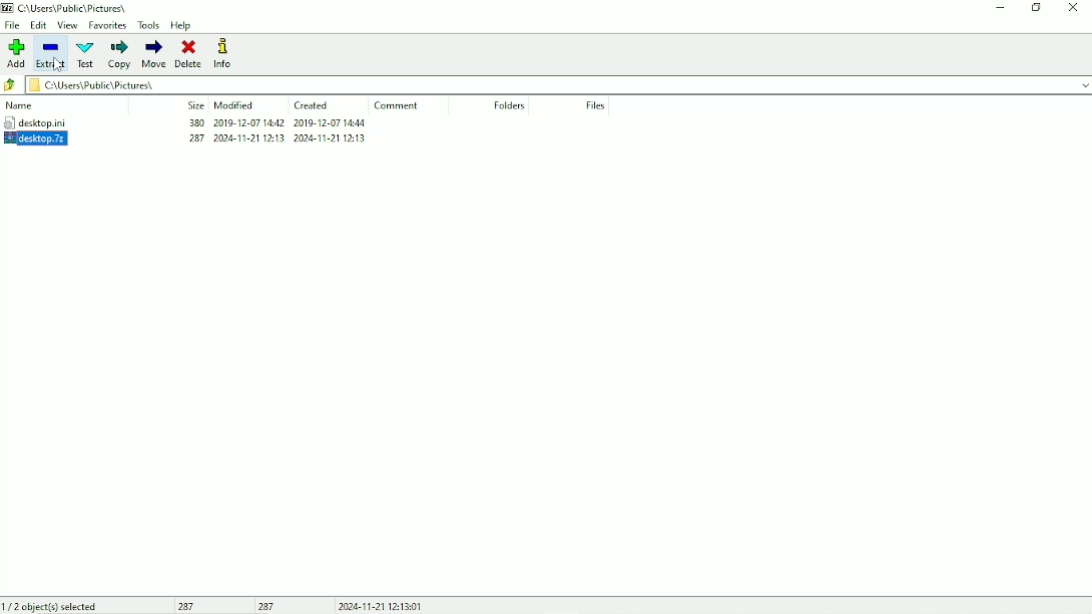 The height and width of the screenshot is (614, 1092). Describe the element at coordinates (395, 105) in the screenshot. I see `Comment` at that location.